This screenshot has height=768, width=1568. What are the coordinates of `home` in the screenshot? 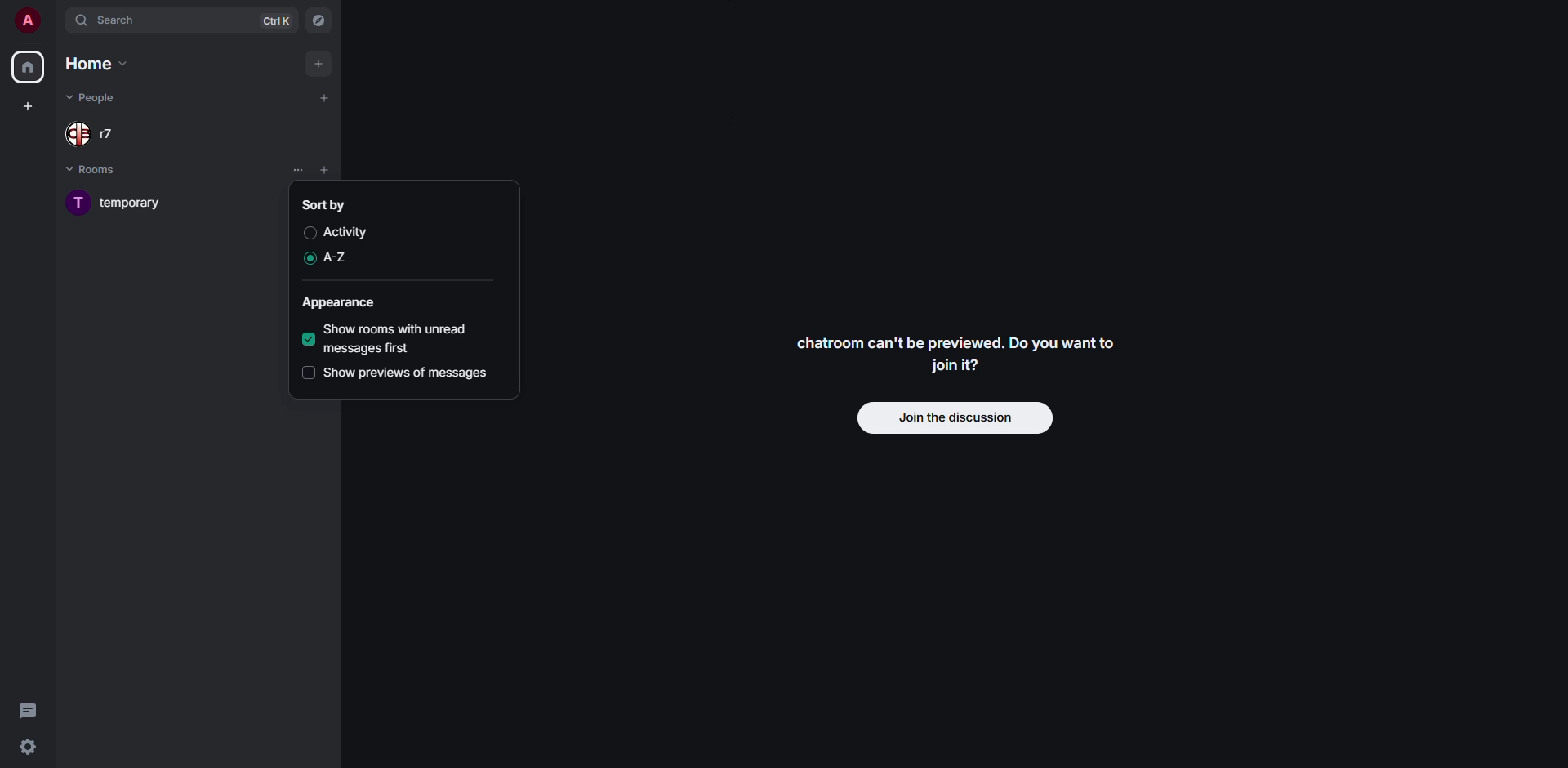 It's located at (96, 64).